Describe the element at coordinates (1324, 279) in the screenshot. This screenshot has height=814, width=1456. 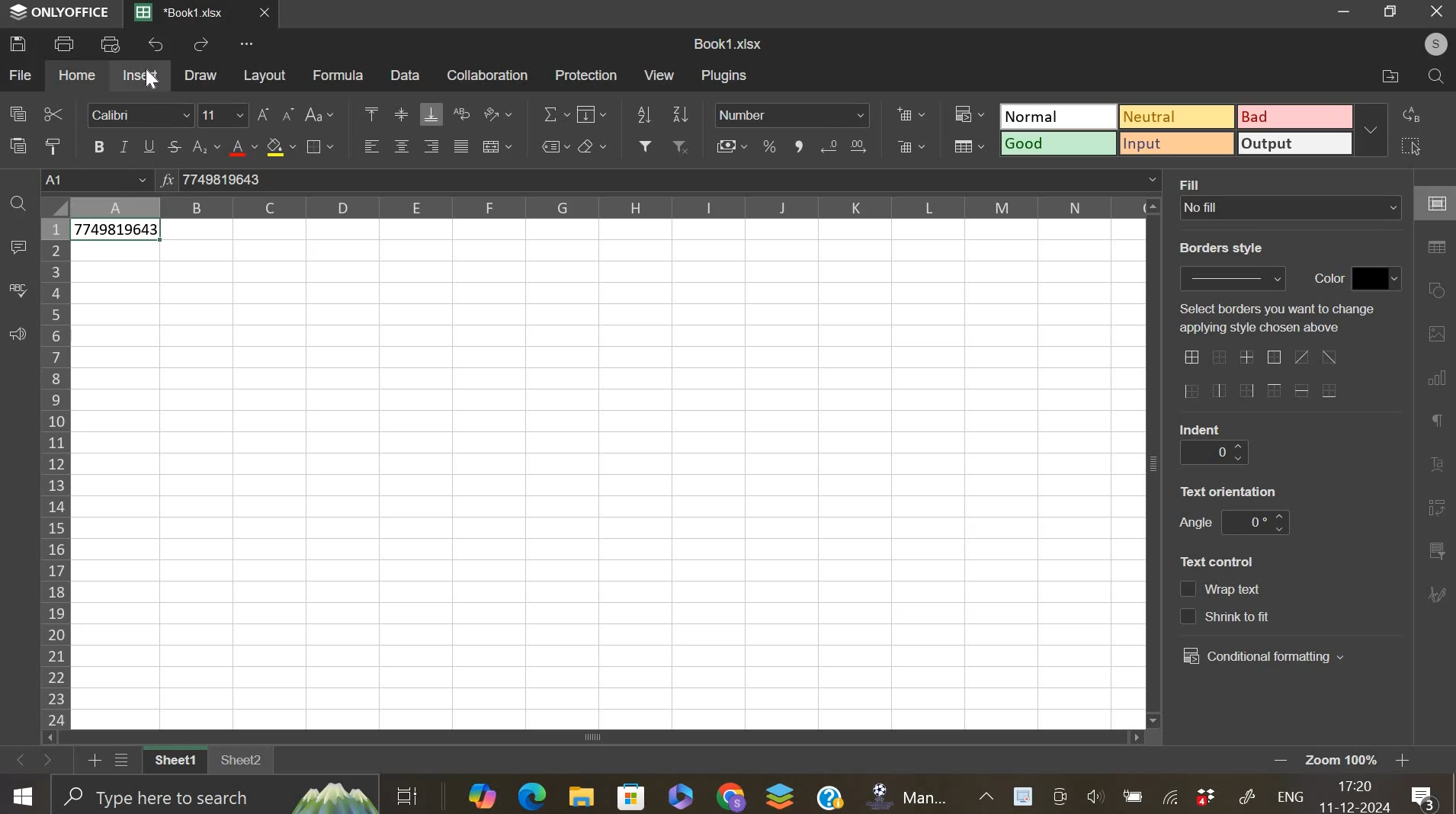
I see `text` at that location.